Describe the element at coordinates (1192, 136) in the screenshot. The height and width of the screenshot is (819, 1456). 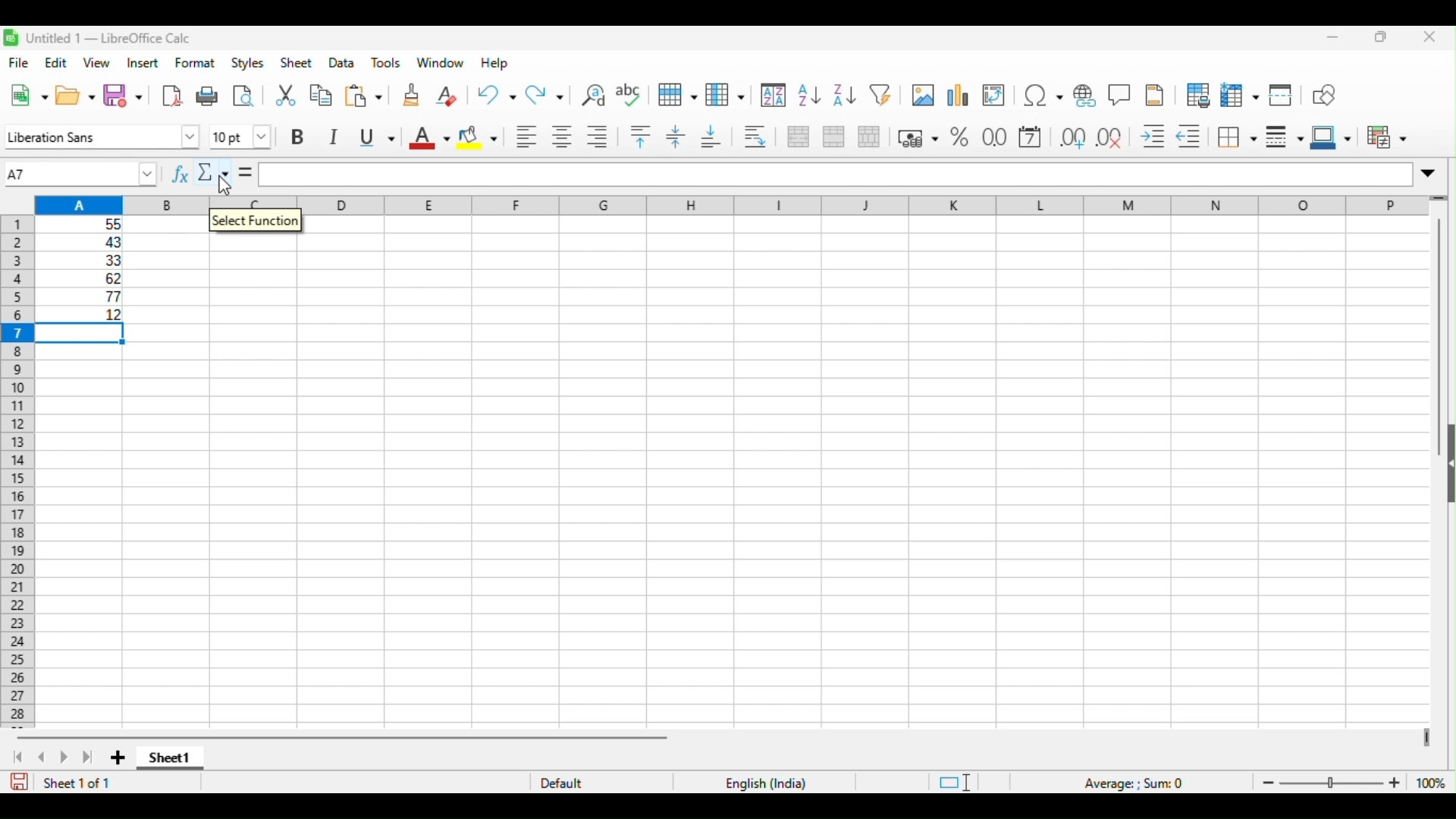
I see `decrease indent` at that location.